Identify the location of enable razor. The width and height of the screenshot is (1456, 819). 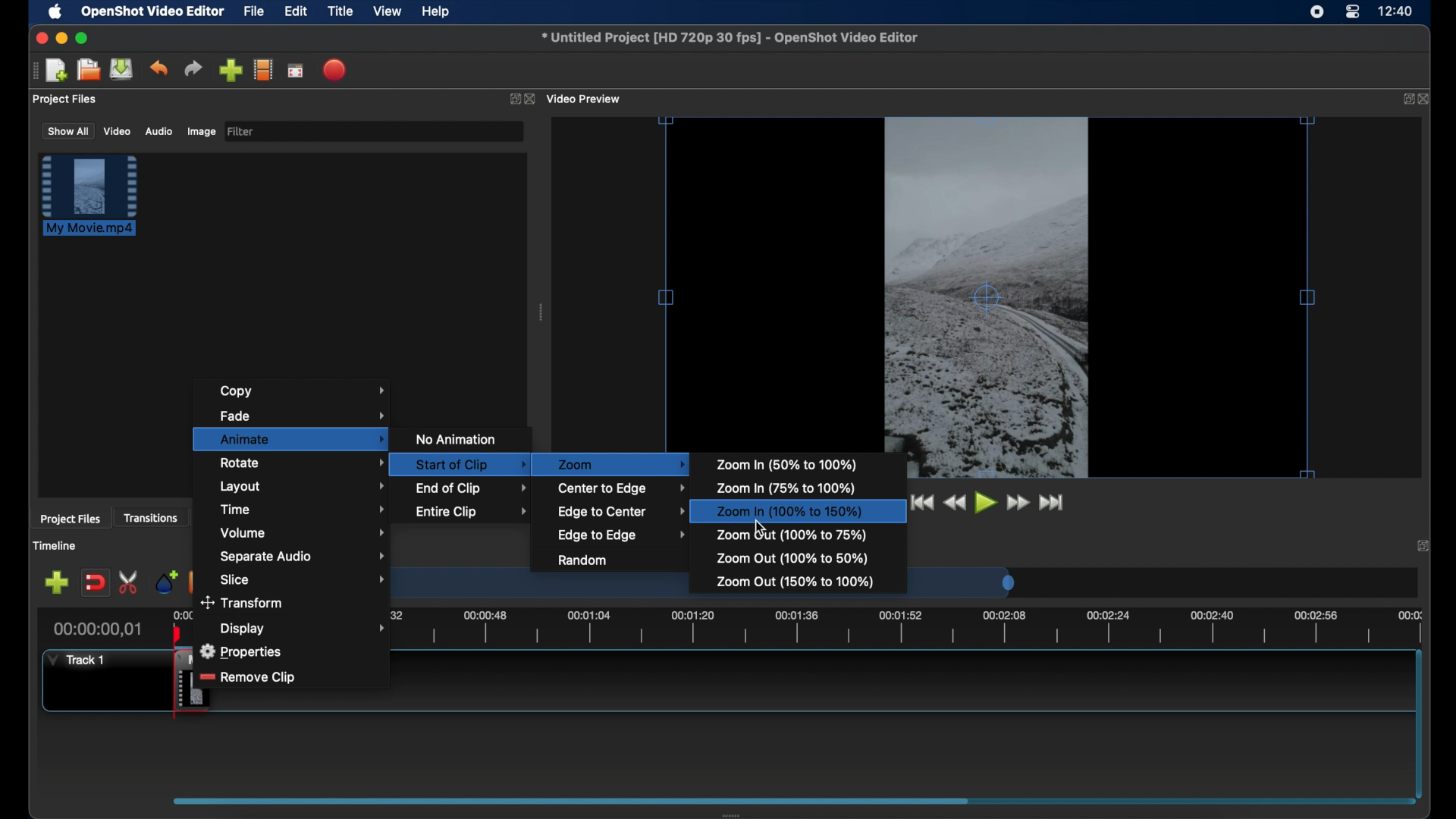
(130, 581).